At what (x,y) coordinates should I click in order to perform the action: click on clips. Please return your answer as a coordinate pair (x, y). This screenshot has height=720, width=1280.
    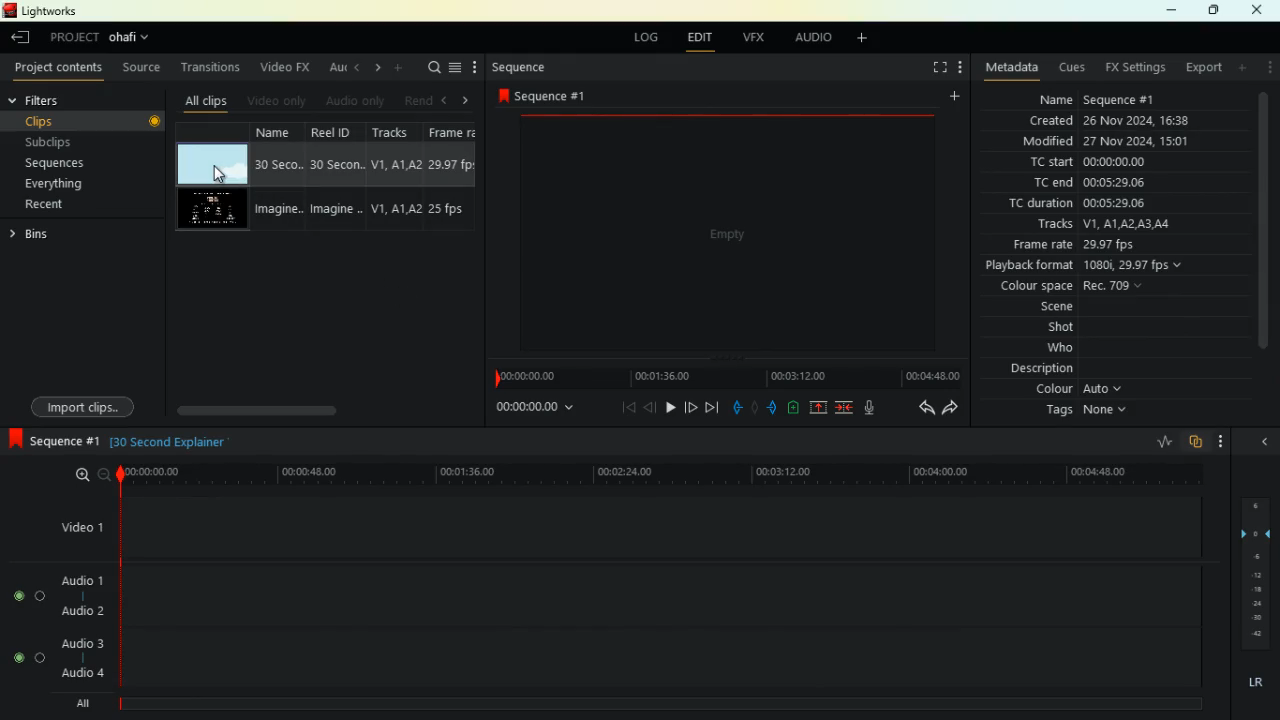
    Looking at the image, I should click on (82, 120).